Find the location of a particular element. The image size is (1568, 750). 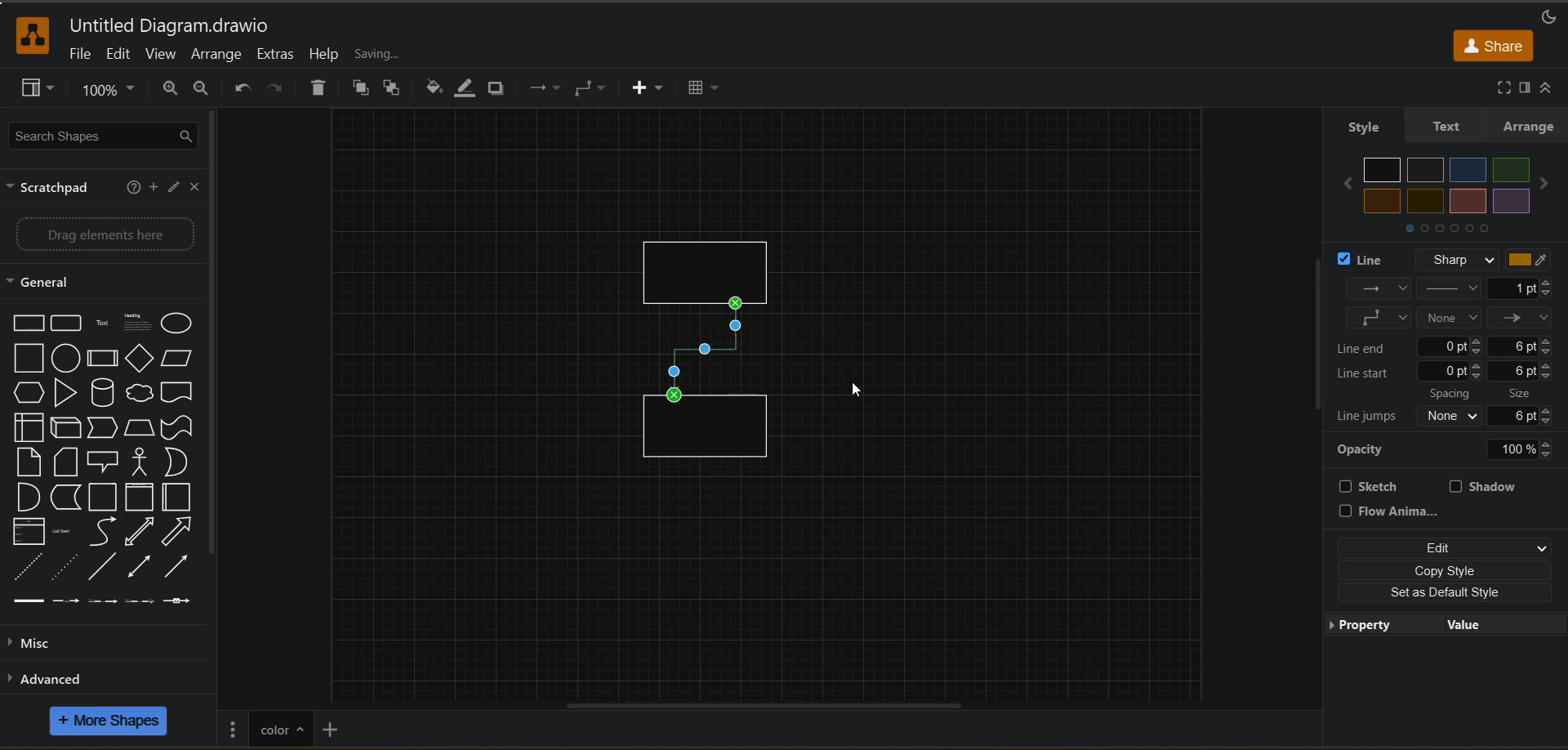

Cube is located at coordinates (66, 428).